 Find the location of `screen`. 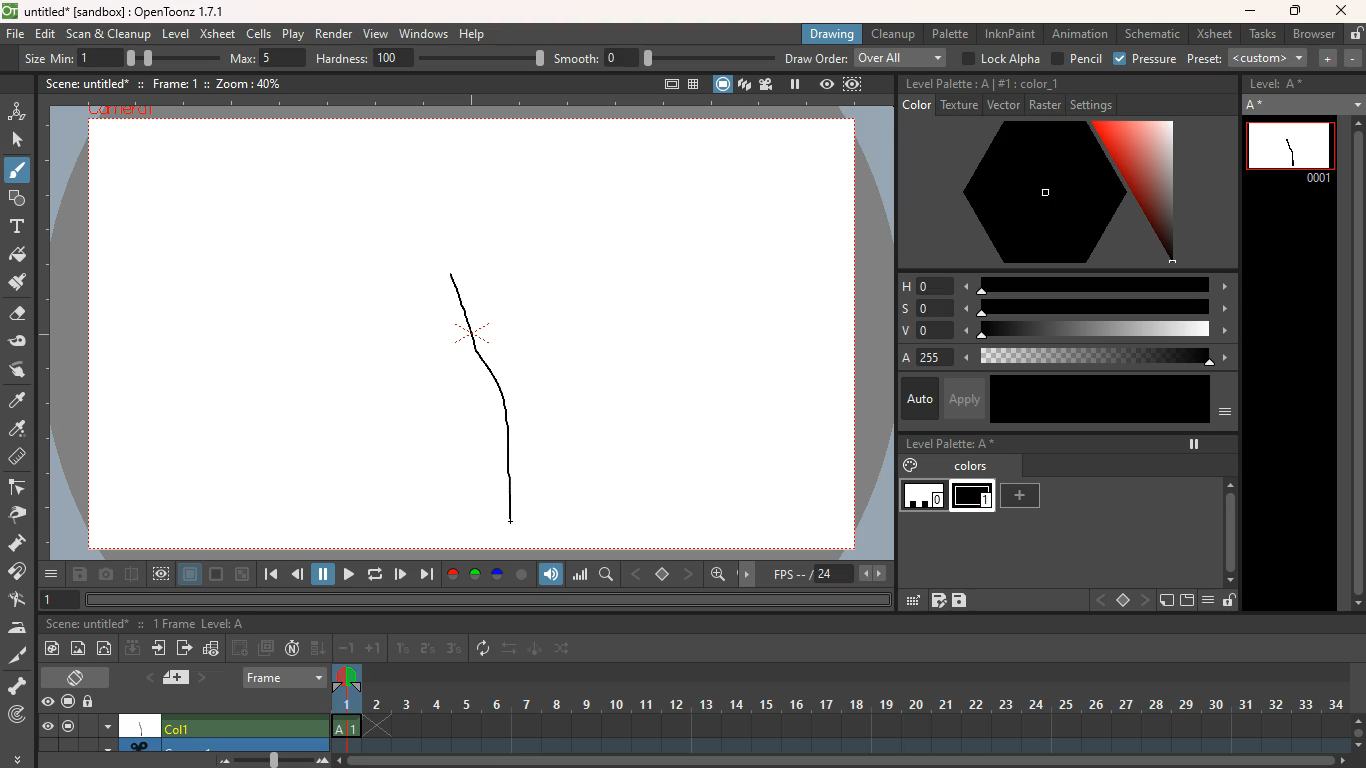

screen is located at coordinates (721, 83).